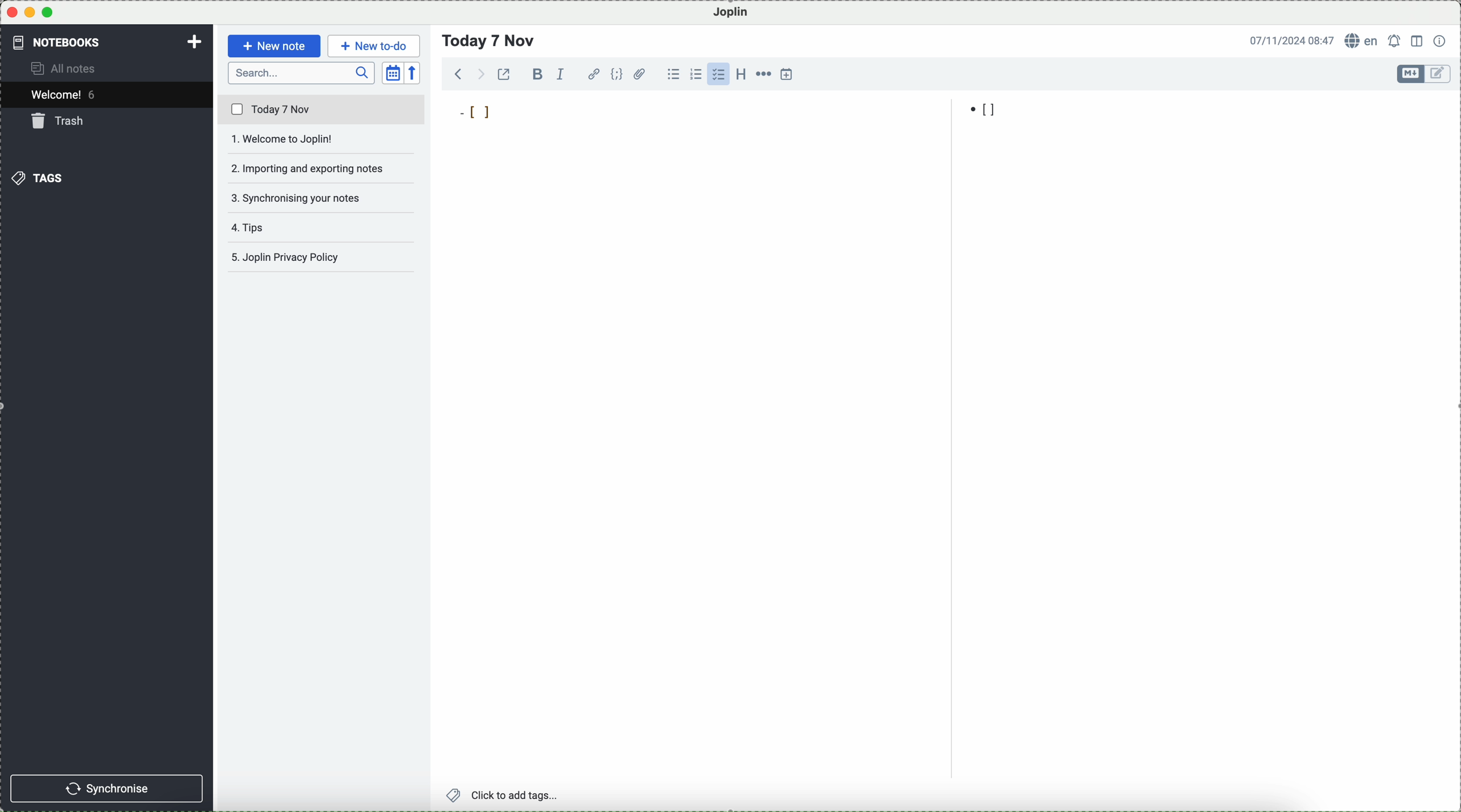 This screenshot has height=812, width=1461. What do you see at coordinates (106, 789) in the screenshot?
I see `synchronise button` at bounding box center [106, 789].